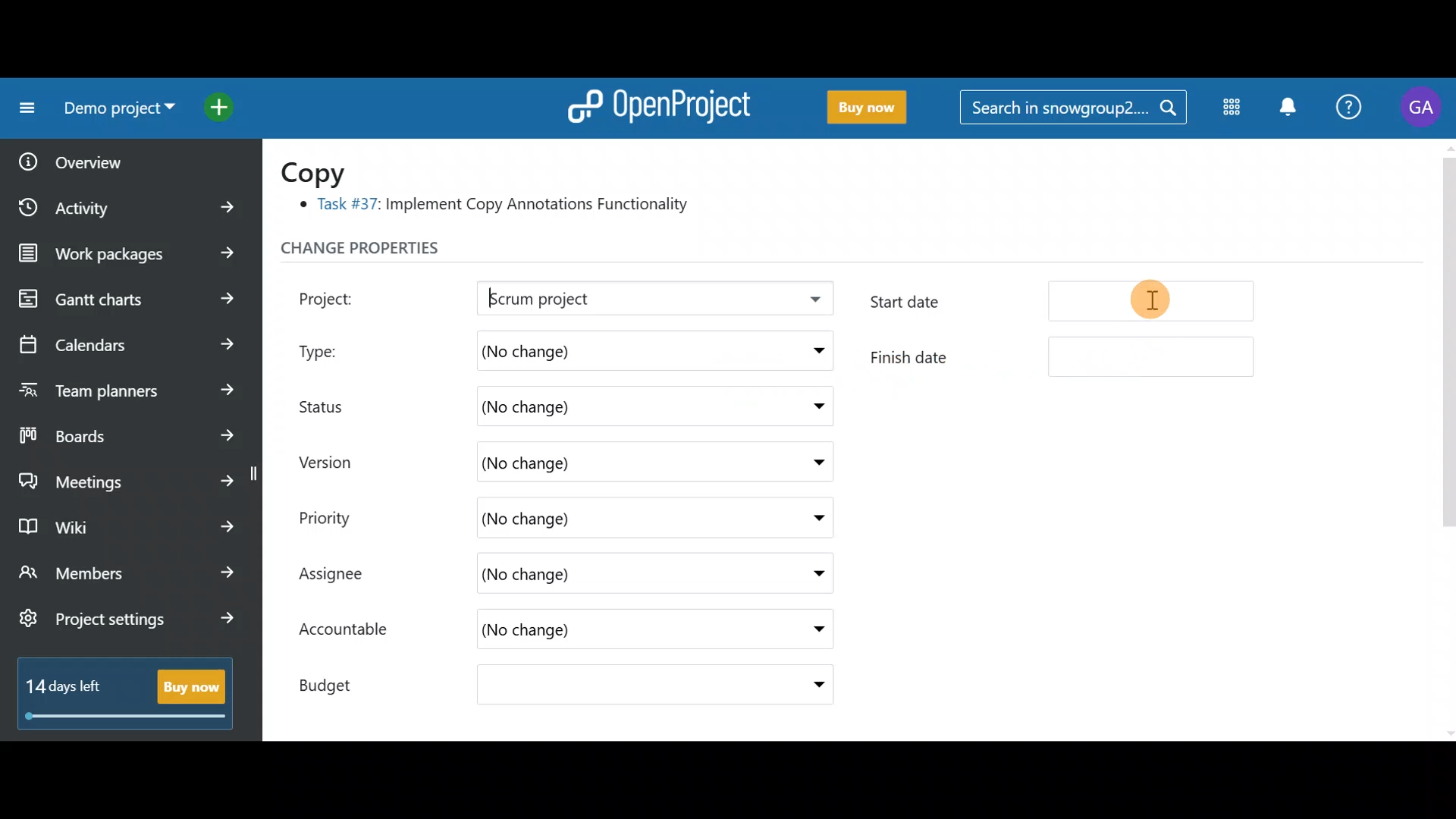  Describe the element at coordinates (345, 297) in the screenshot. I see `Project` at that location.